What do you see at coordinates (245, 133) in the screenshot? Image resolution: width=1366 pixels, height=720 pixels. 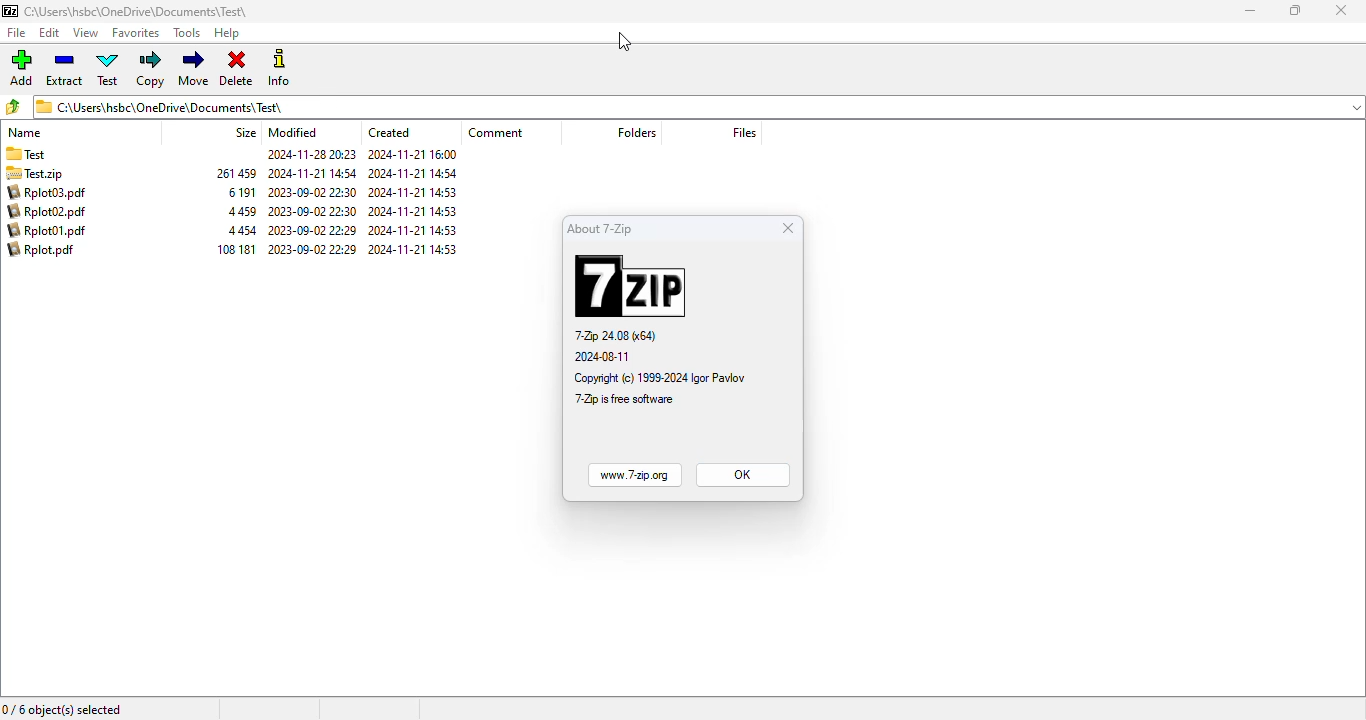 I see `size` at bounding box center [245, 133].